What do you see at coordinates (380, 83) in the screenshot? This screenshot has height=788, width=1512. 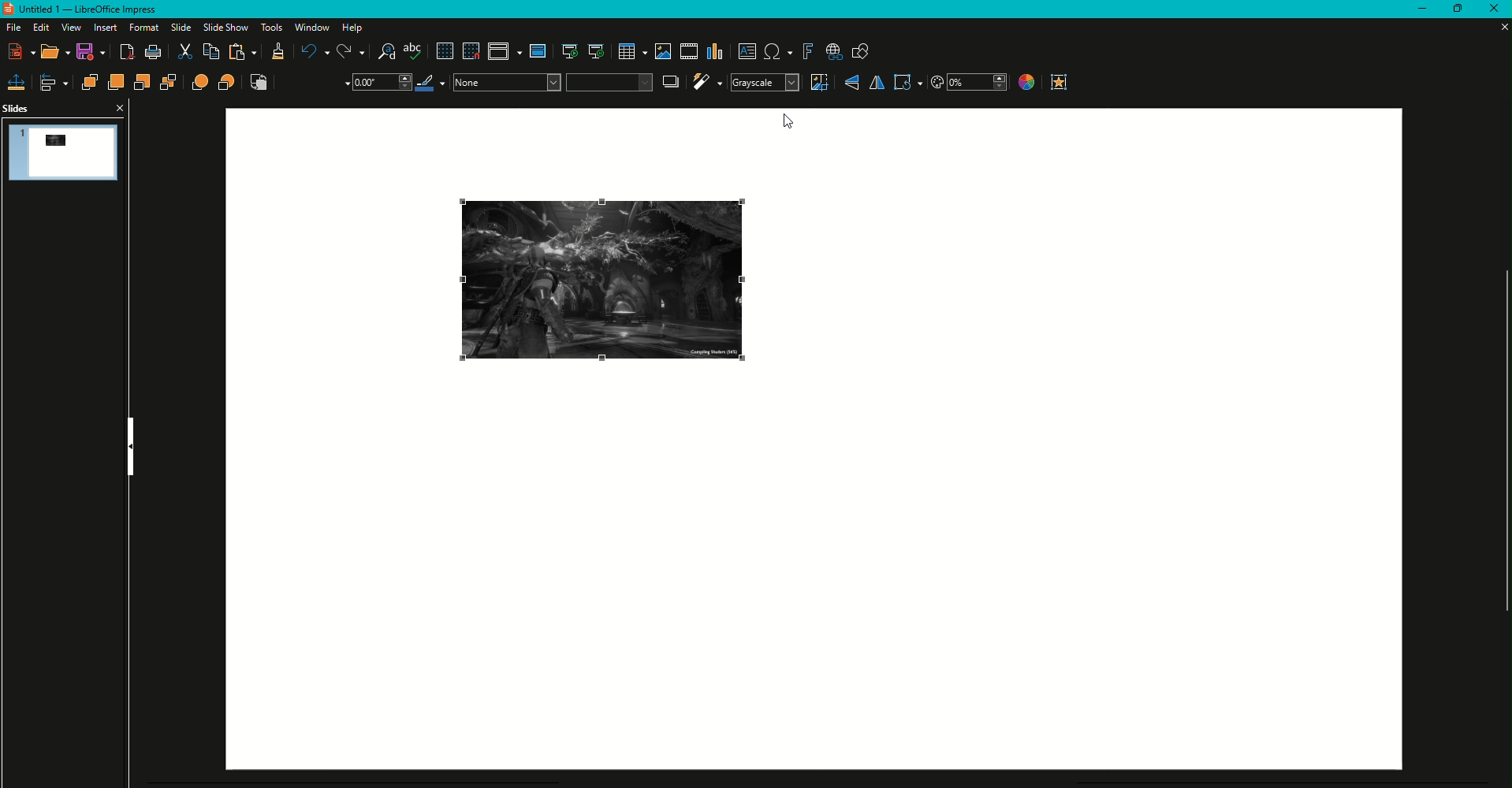 I see `Line Thickness` at bounding box center [380, 83].